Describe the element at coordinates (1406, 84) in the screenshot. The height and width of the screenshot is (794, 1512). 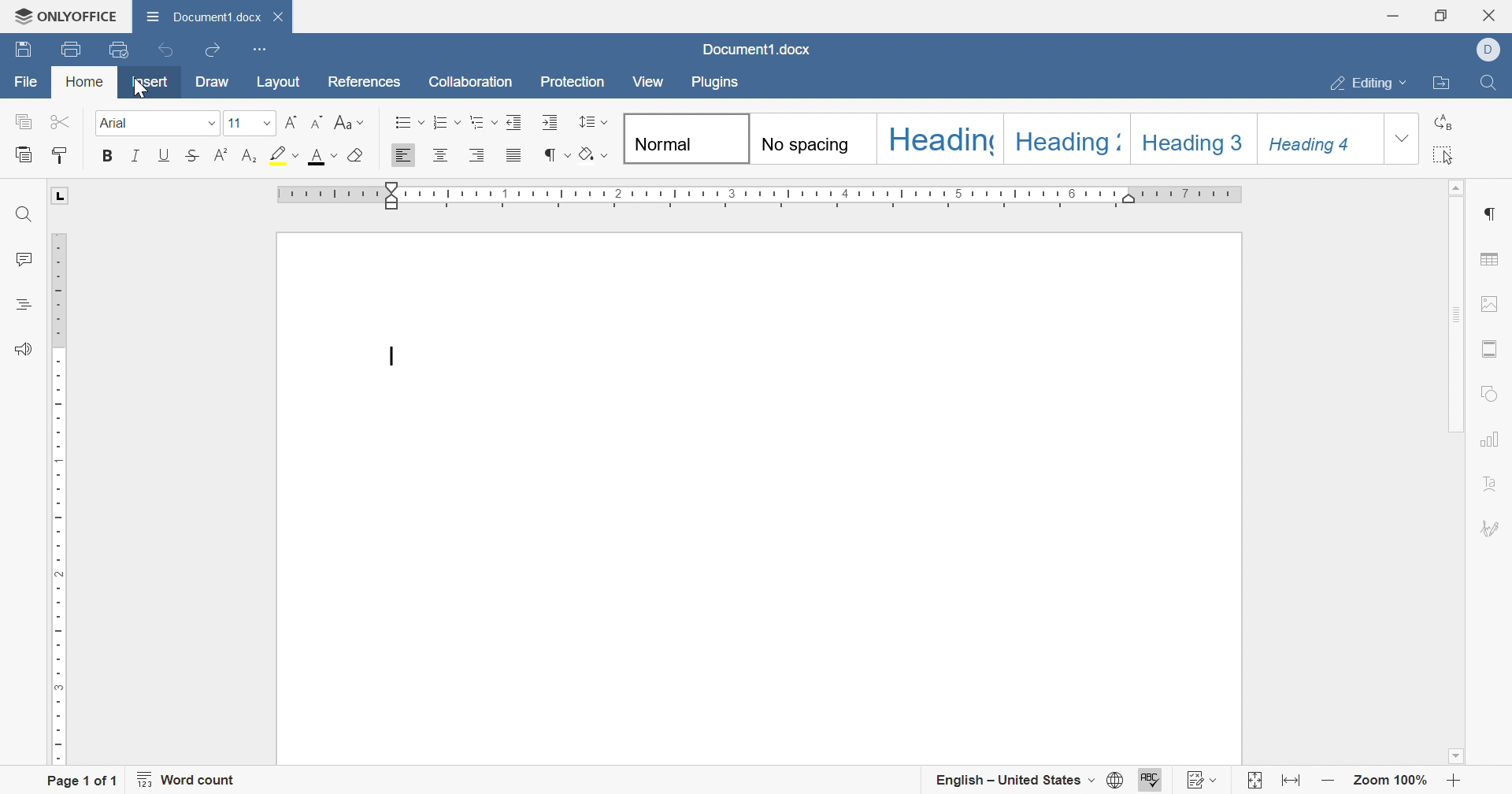
I see `Drop Down` at that location.